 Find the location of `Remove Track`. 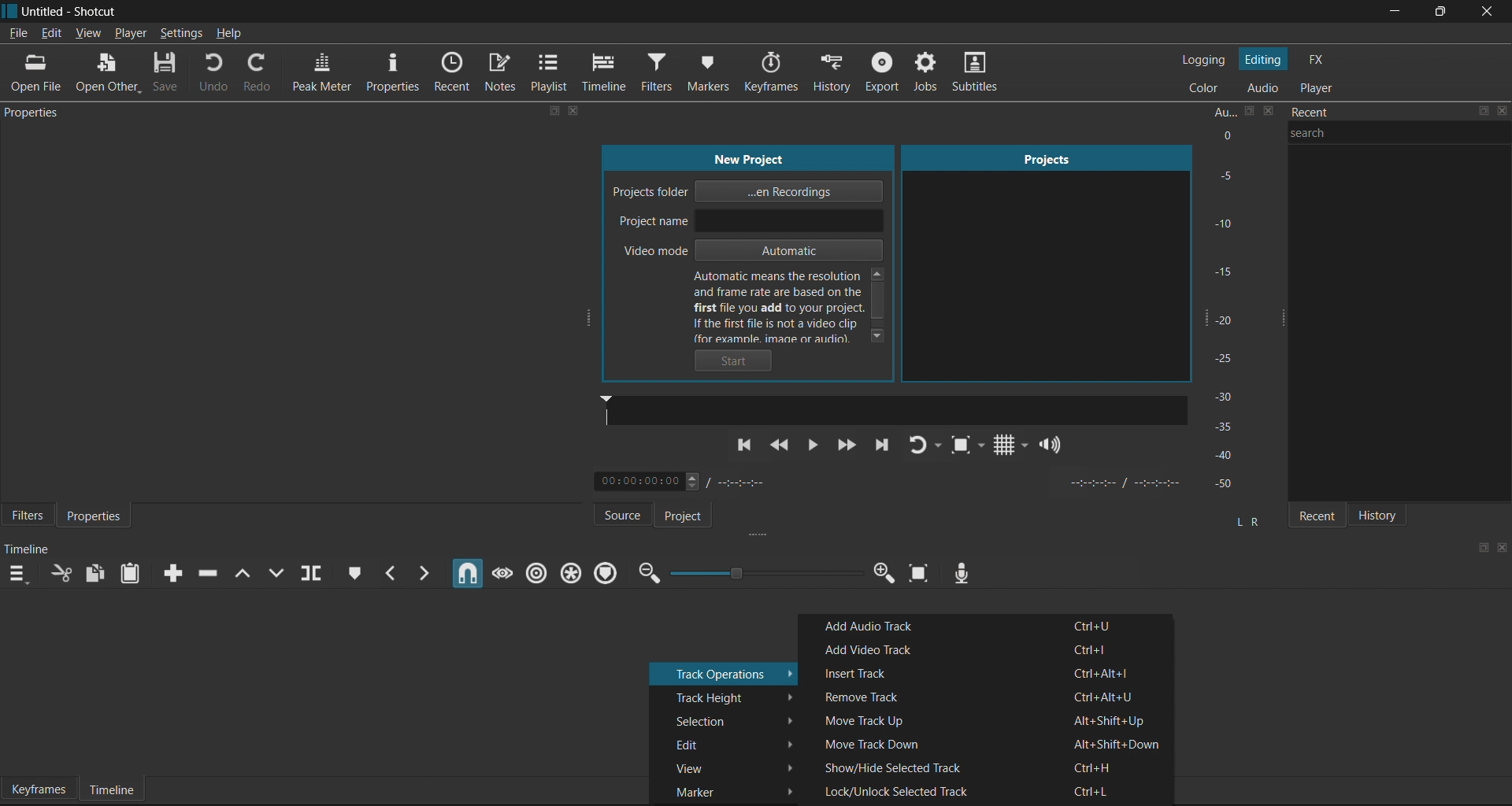

Remove Track is located at coordinates (983, 696).